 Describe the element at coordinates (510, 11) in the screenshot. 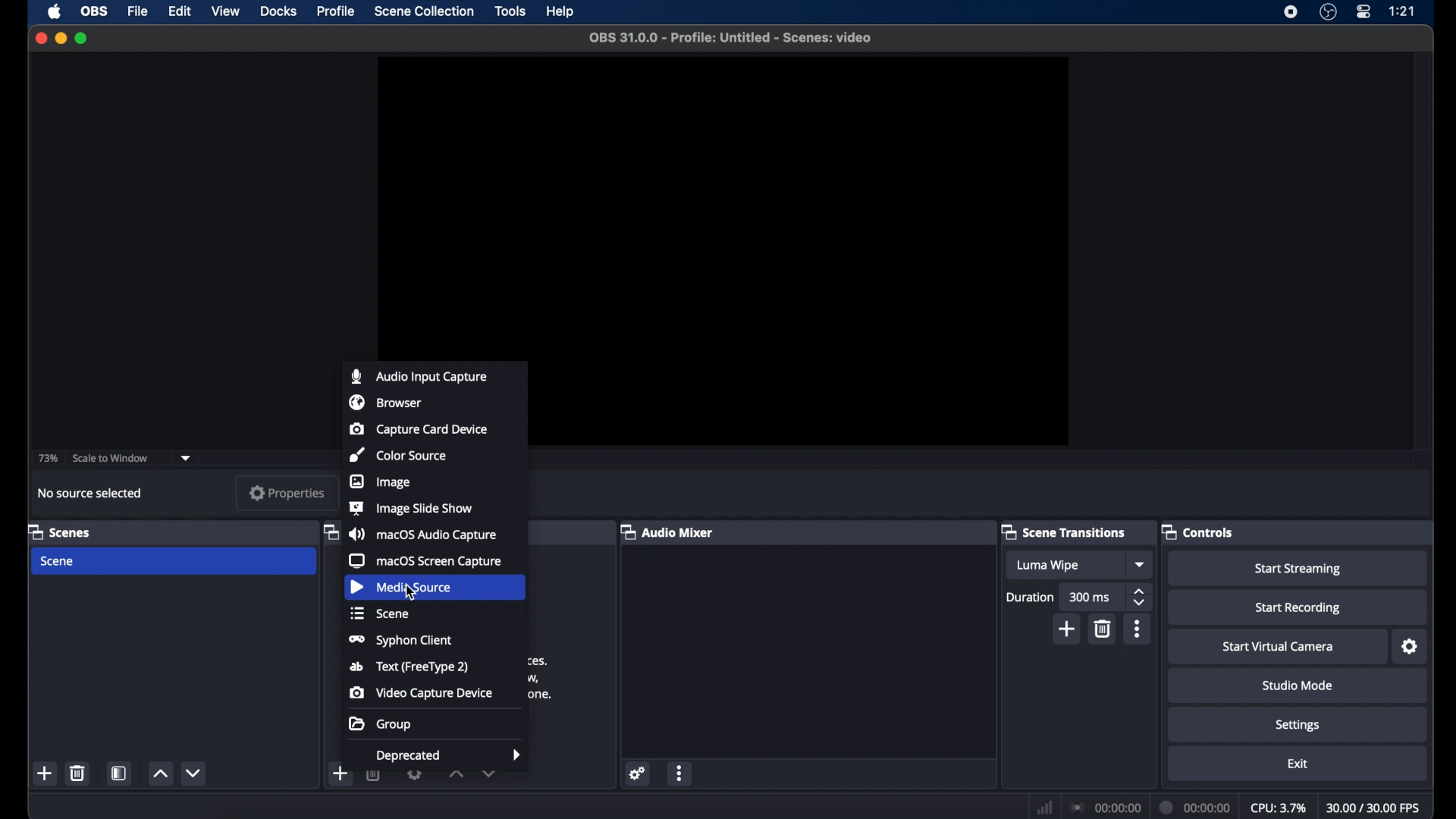

I see `tools` at that location.